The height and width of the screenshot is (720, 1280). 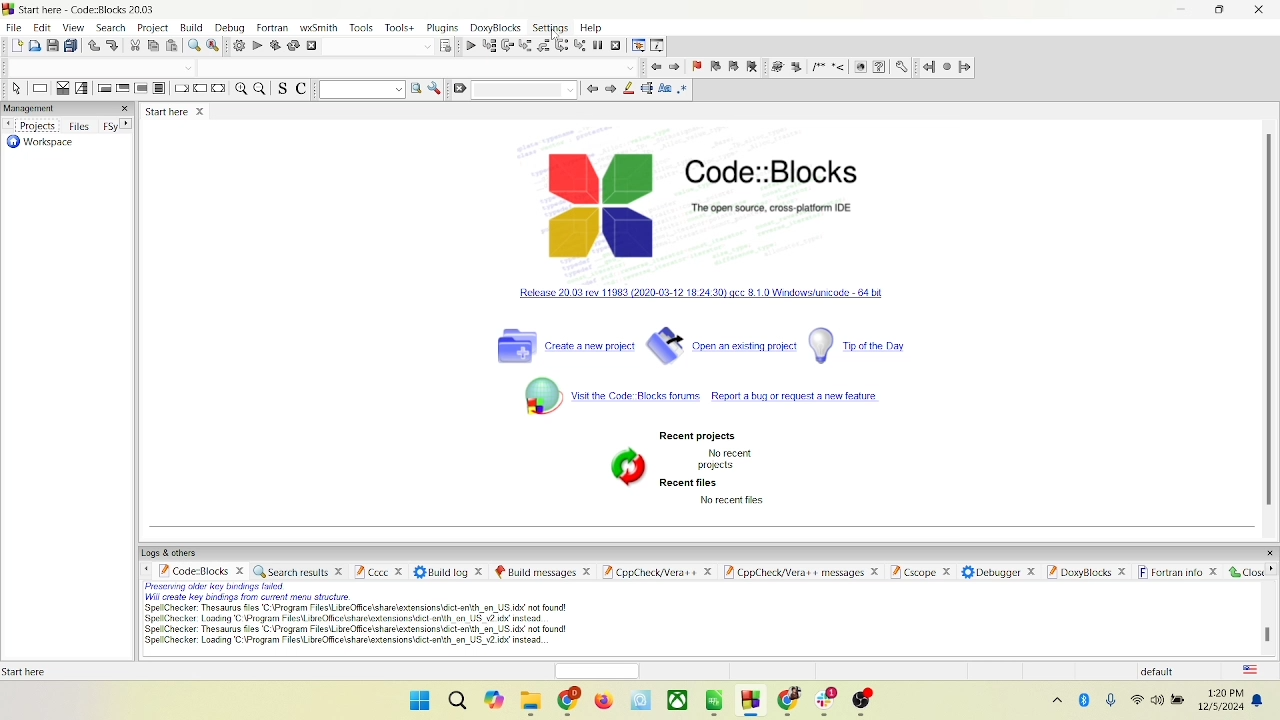 What do you see at coordinates (39, 144) in the screenshot?
I see `workspace` at bounding box center [39, 144].